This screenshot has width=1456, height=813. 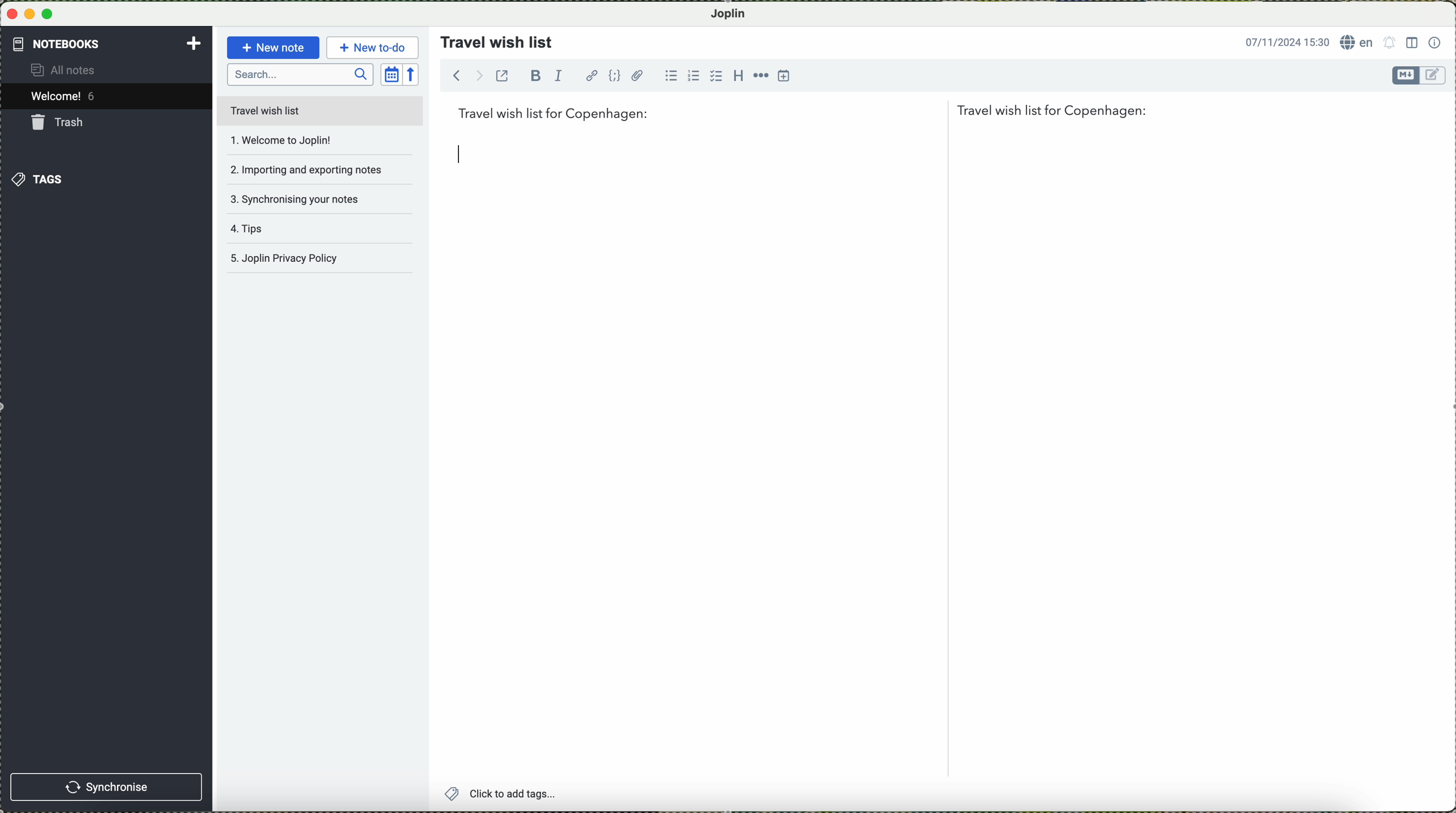 What do you see at coordinates (1357, 42) in the screenshot?
I see `language` at bounding box center [1357, 42].